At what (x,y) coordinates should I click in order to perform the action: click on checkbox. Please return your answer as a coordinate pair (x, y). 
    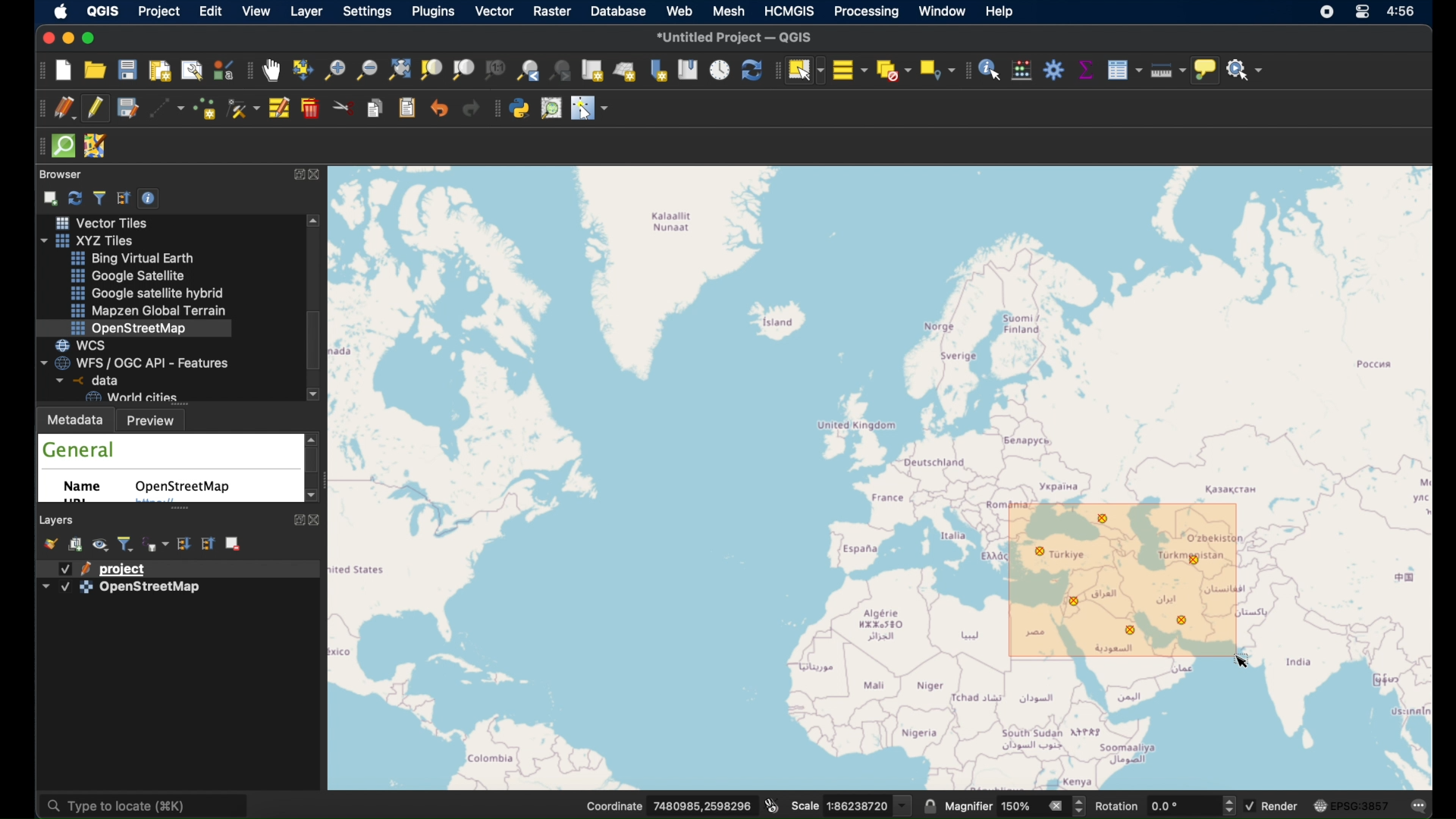
    Looking at the image, I should click on (65, 588).